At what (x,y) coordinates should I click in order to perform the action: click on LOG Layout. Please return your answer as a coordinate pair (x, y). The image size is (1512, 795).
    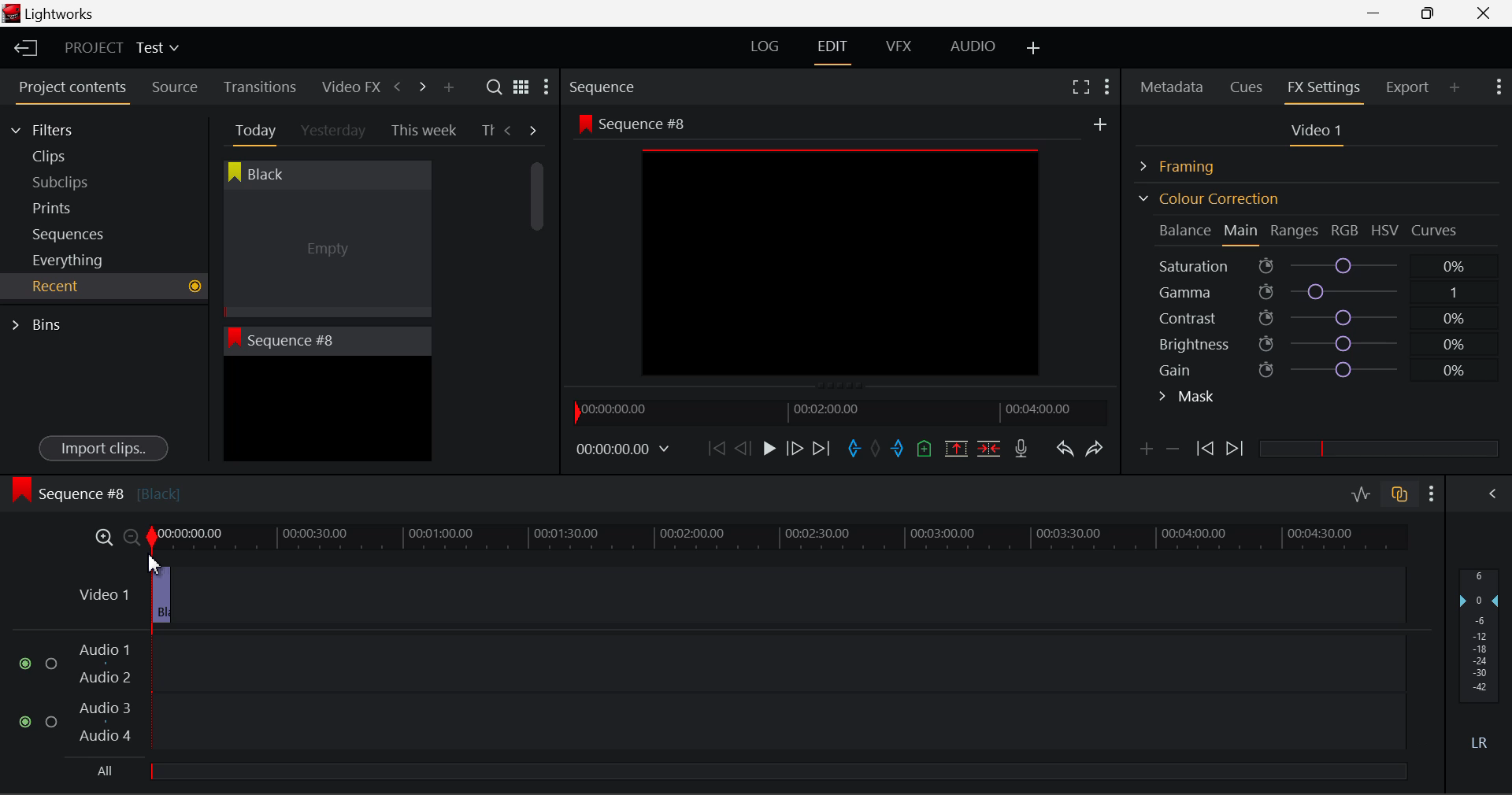
    Looking at the image, I should click on (764, 46).